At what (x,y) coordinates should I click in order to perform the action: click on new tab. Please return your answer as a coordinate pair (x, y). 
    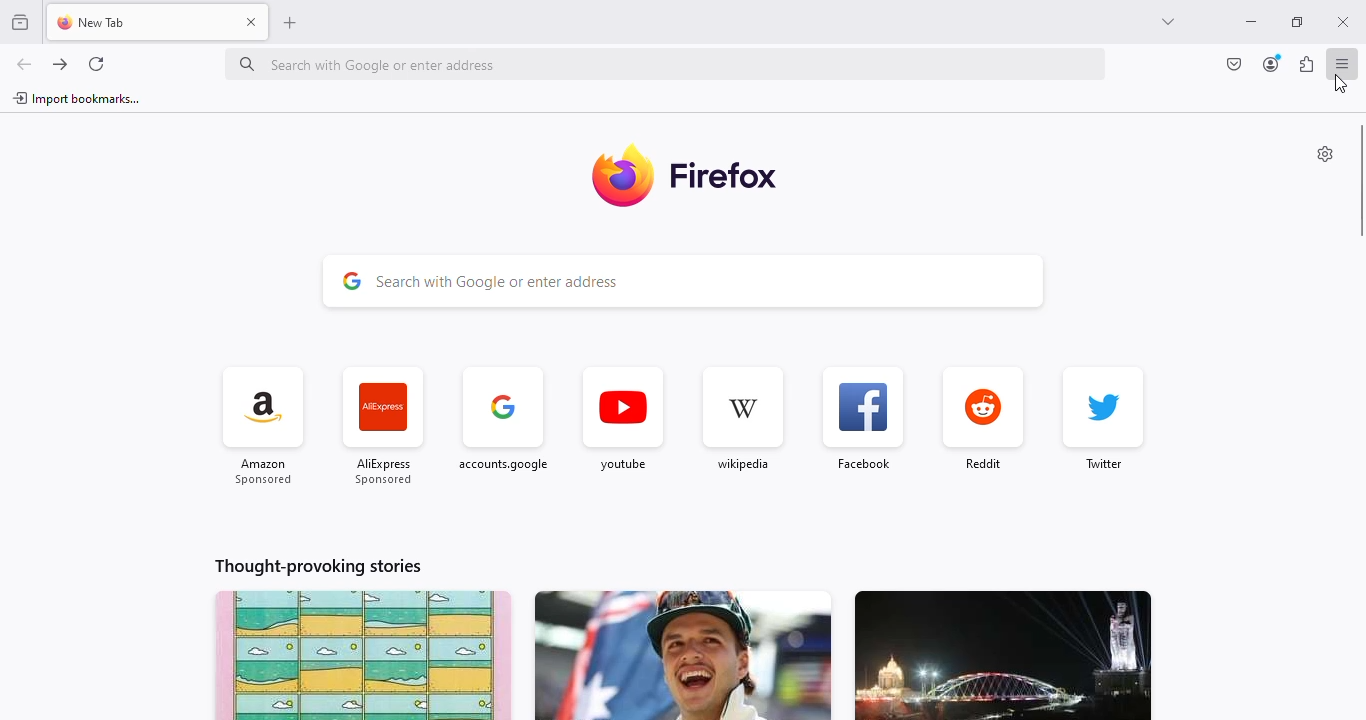
    Looking at the image, I should click on (96, 22).